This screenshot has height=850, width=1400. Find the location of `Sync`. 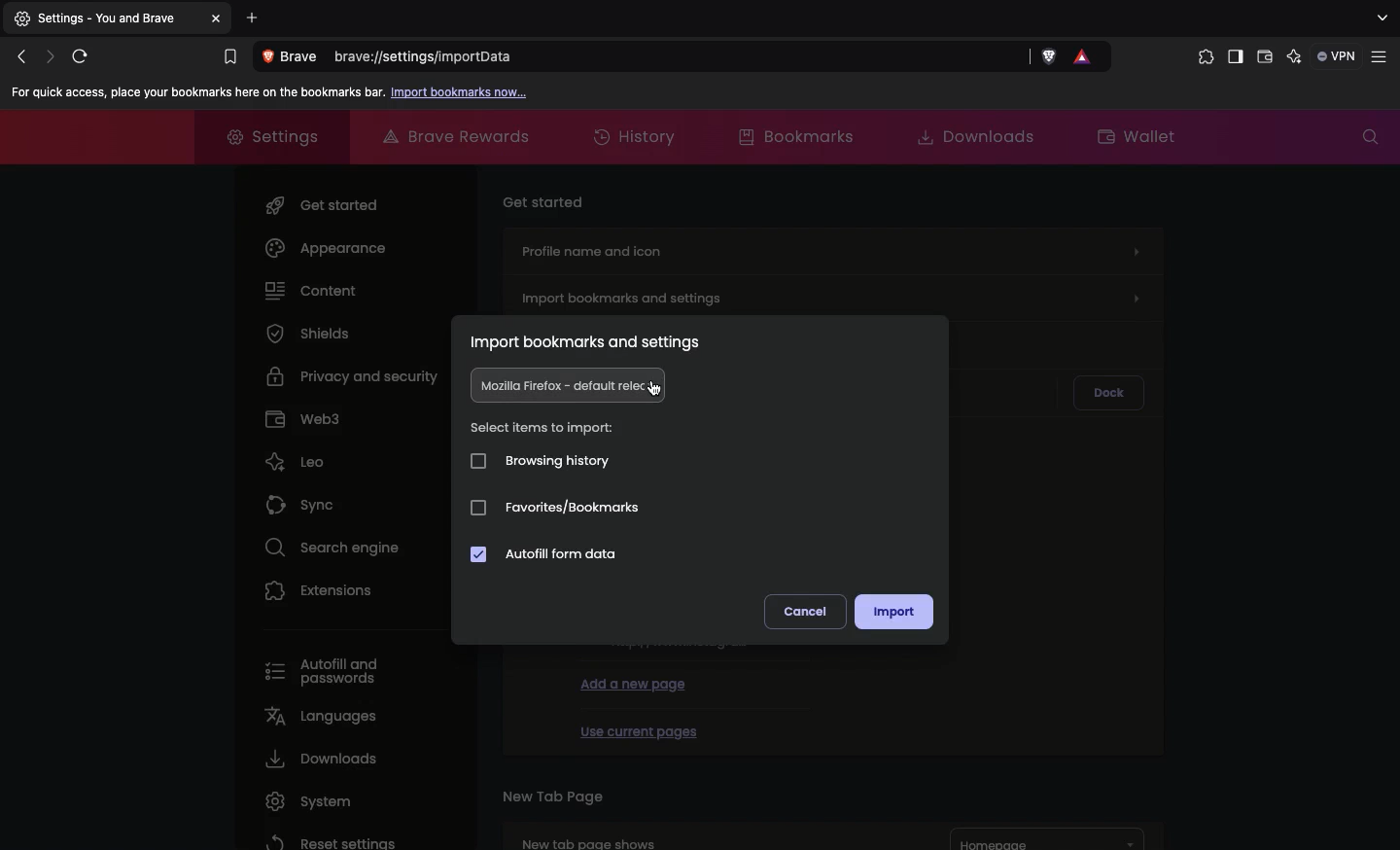

Sync is located at coordinates (304, 500).